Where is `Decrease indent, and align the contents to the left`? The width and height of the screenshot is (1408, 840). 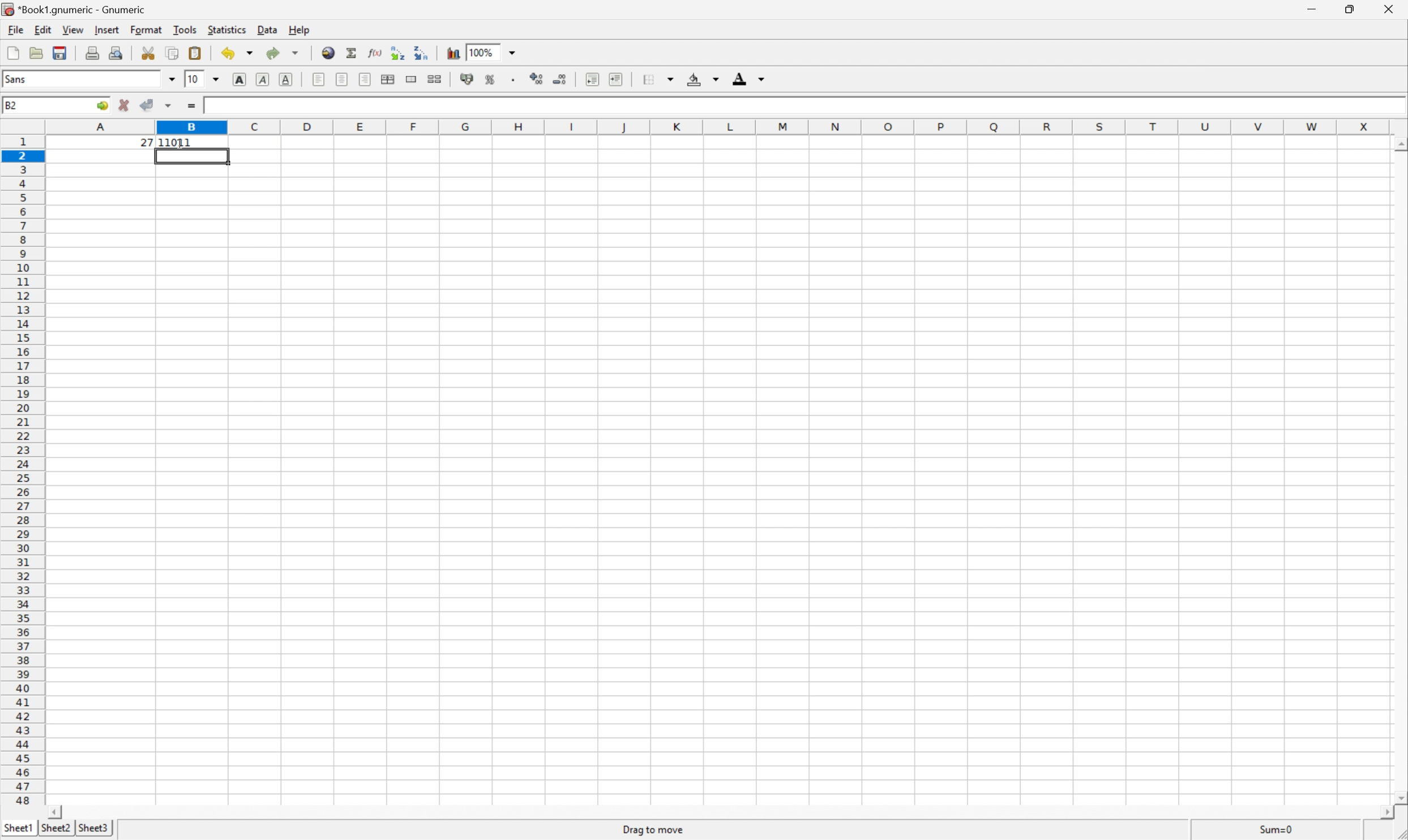 Decrease indent, and align the contents to the left is located at coordinates (592, 79).